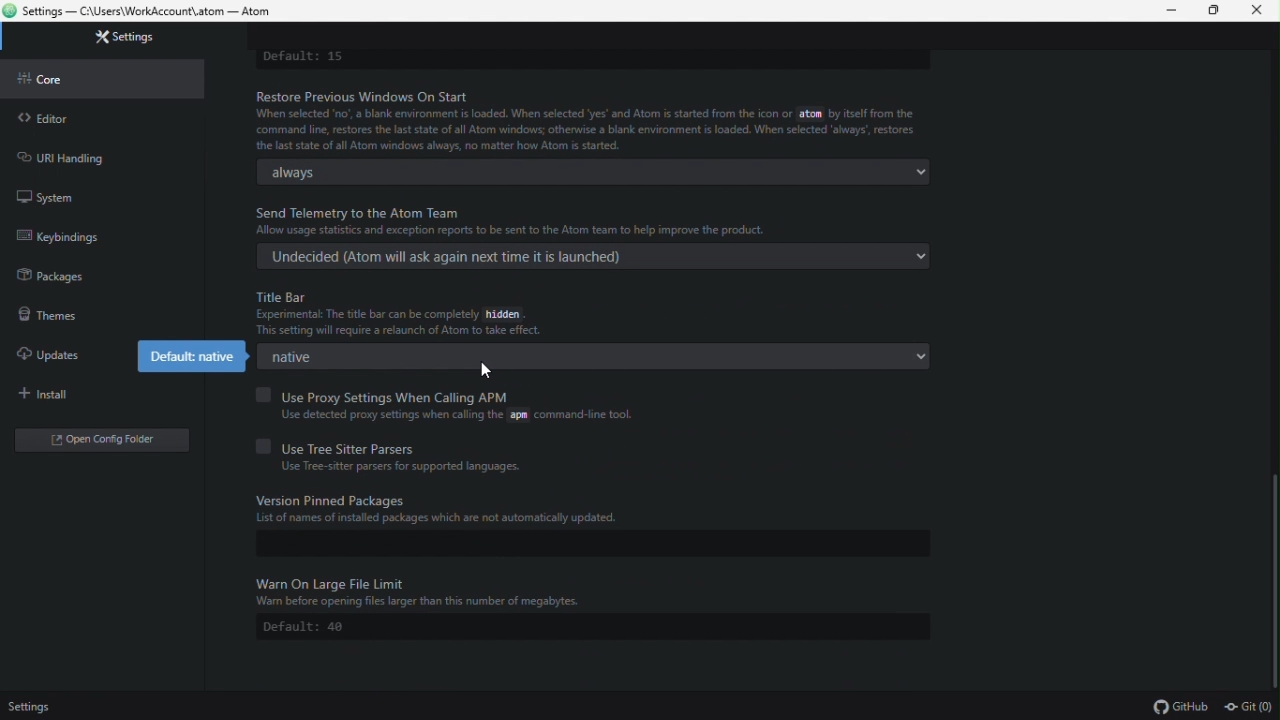  I want to click on Use Tree-sitter parsers for supported languages., so click(402, 466).